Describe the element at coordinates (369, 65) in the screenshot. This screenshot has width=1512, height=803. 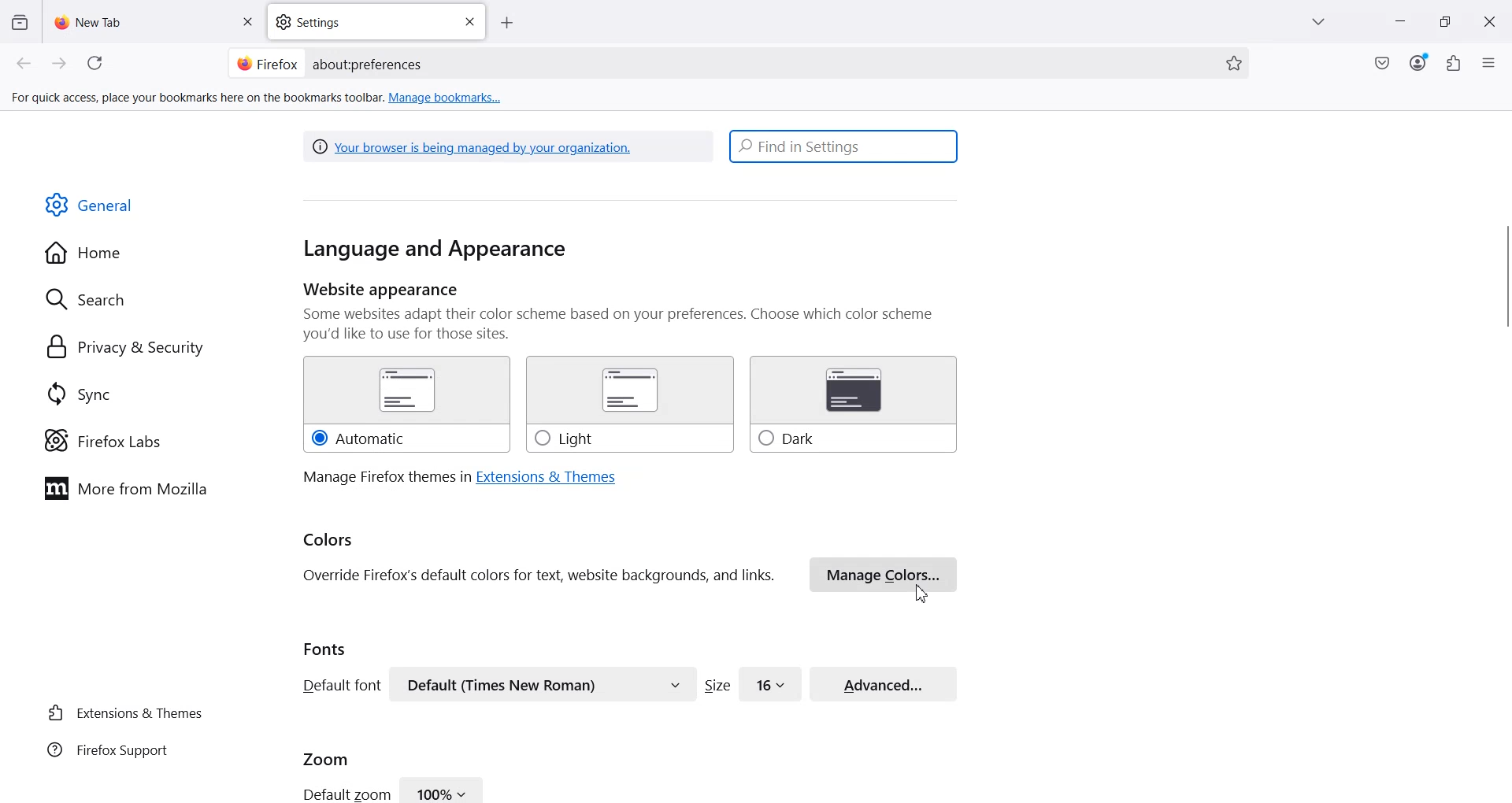
I see `about:prefernces` at that location.